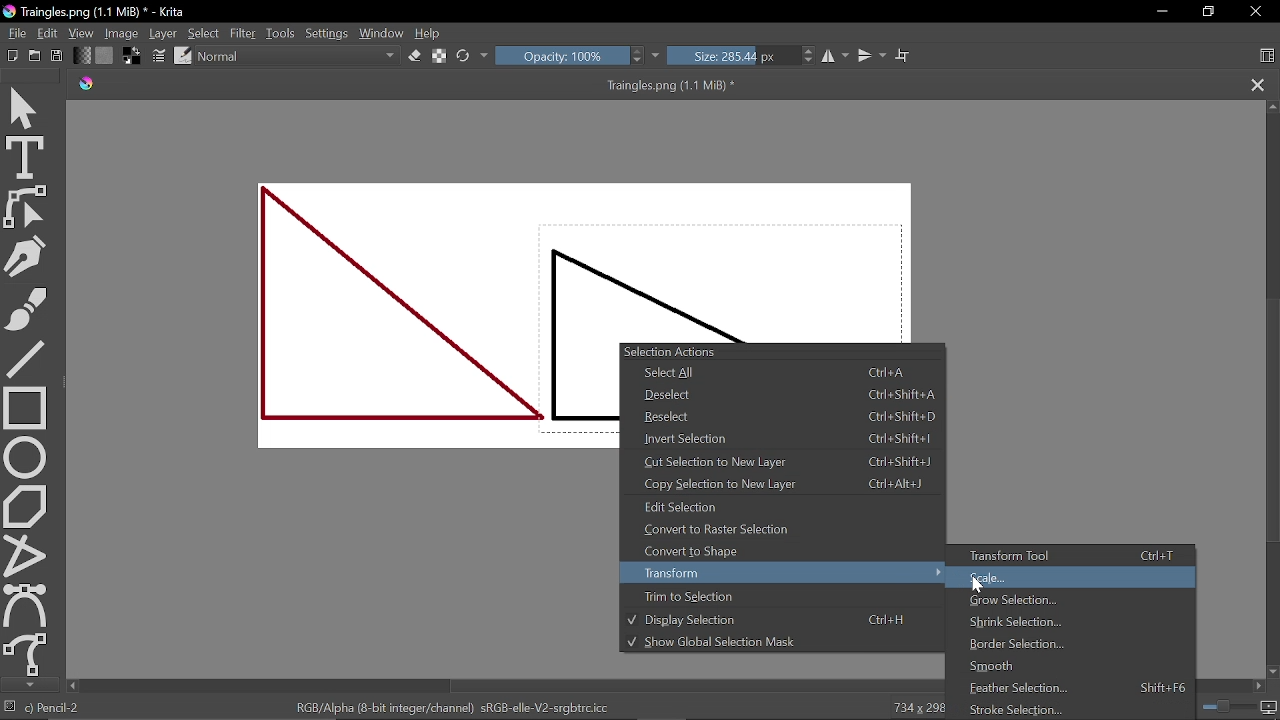 The width and height of the screenshot is (1280, 720). What do you see at coordinates (106, 56) in the screenshot?
I see `Pattern fill` at bounding box center [106, 56].